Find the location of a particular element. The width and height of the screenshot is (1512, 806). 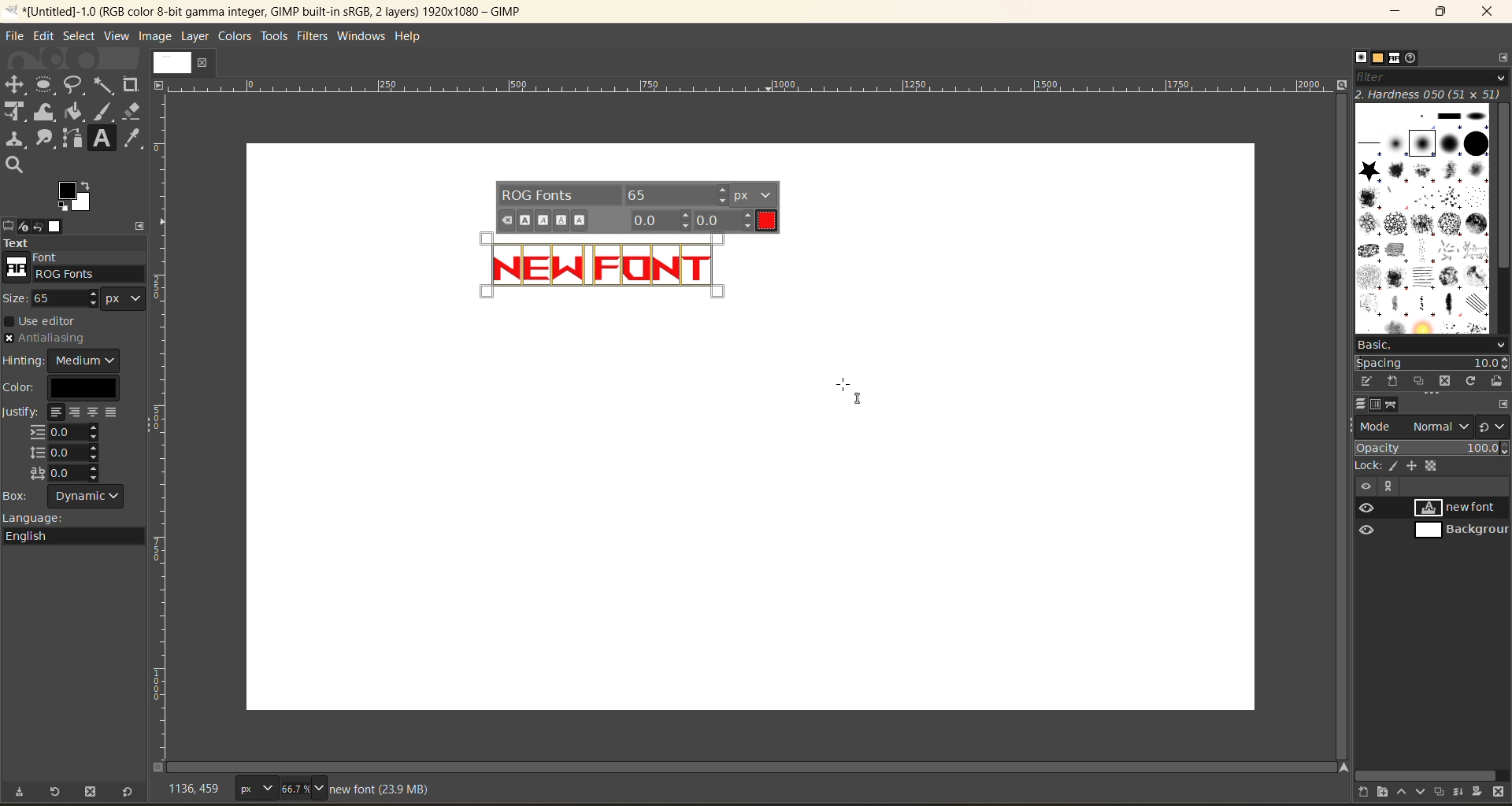

edit is located at coordinates (41, 35).